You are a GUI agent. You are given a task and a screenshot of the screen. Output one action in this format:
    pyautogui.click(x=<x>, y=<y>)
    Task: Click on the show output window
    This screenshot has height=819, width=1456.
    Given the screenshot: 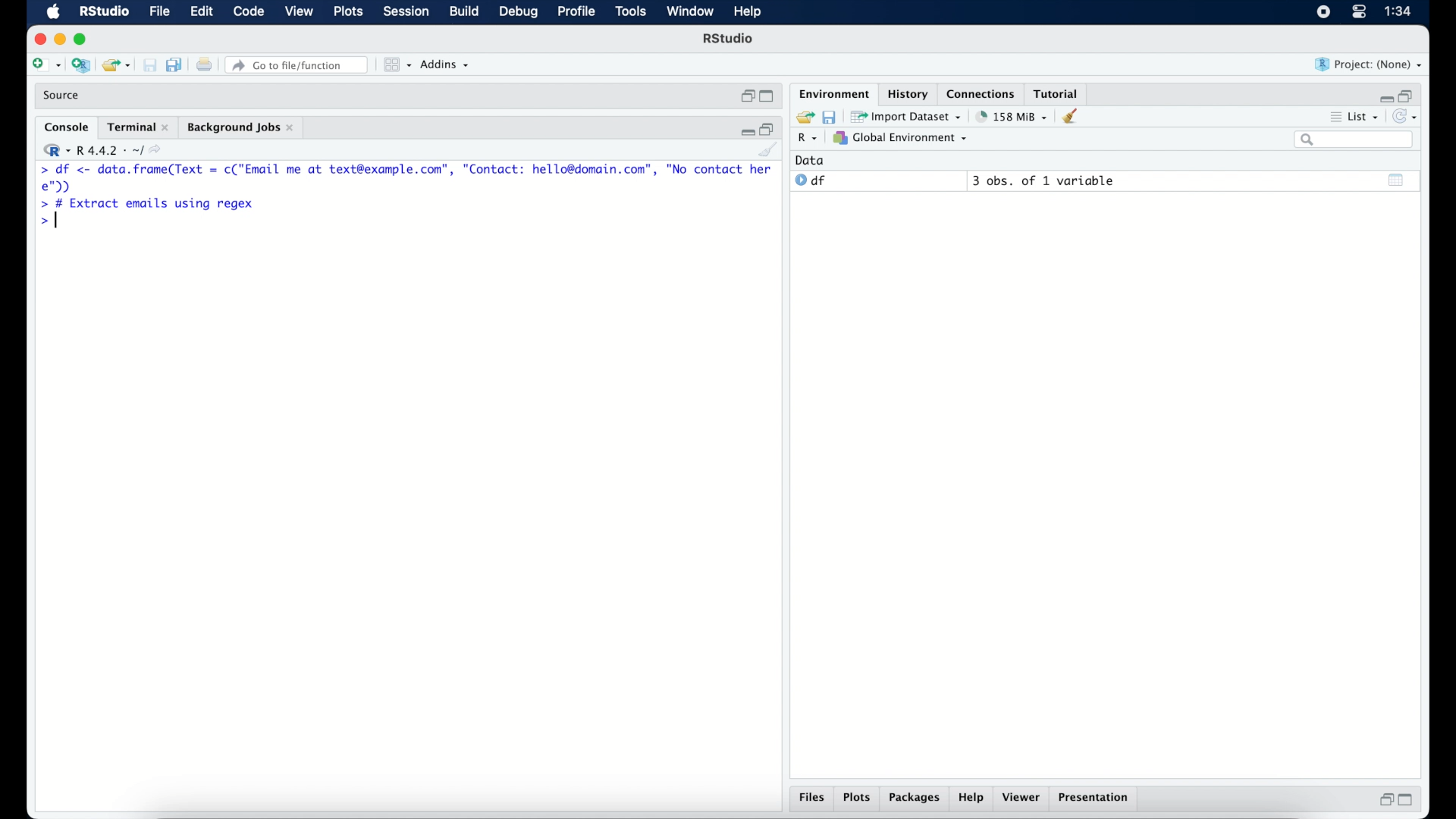 What is the action you would take?
    pyautogui.click(x=1396, y=181)
    